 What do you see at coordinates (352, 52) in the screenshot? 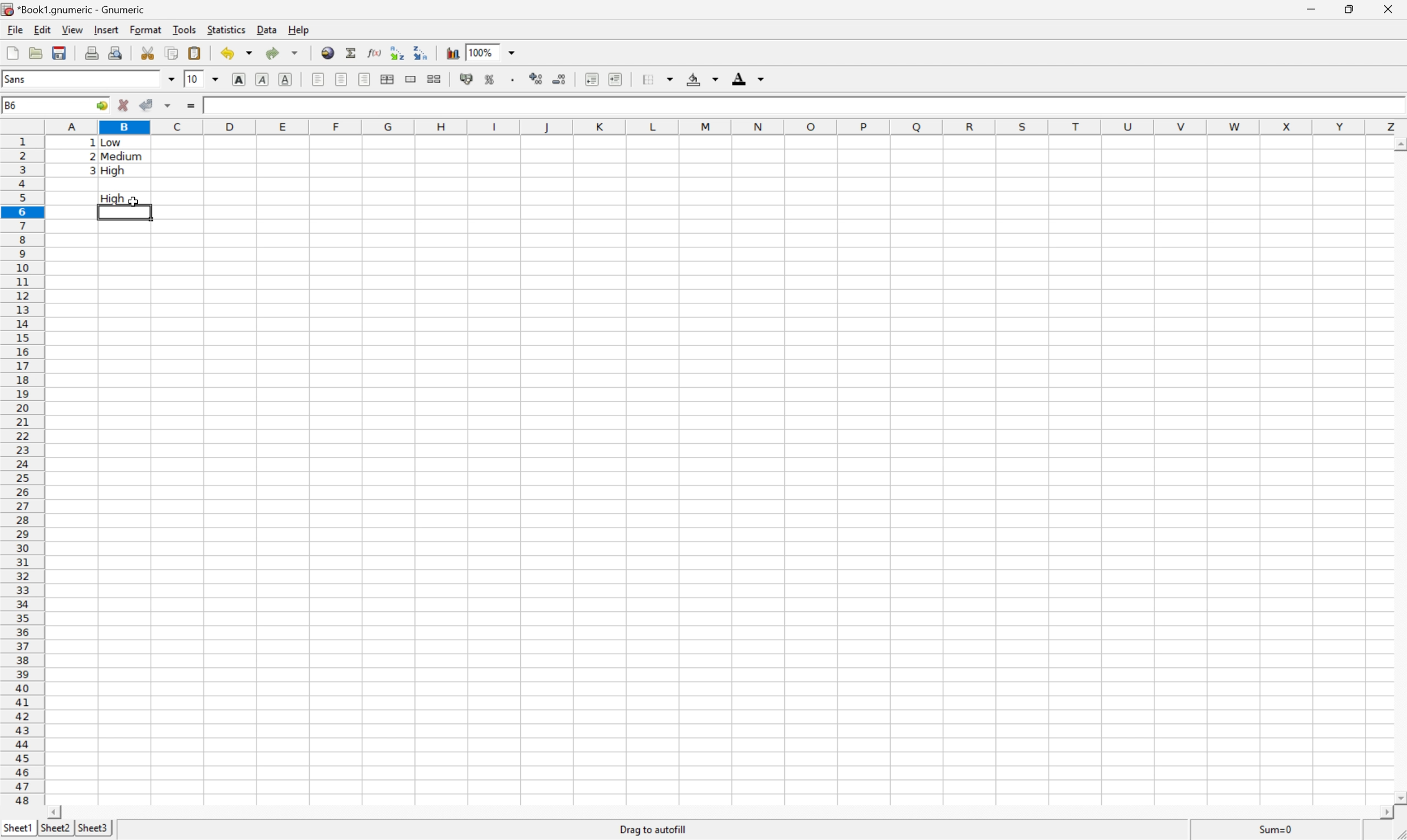
I see `Sum in current cells` at bounding box center [352, 52].